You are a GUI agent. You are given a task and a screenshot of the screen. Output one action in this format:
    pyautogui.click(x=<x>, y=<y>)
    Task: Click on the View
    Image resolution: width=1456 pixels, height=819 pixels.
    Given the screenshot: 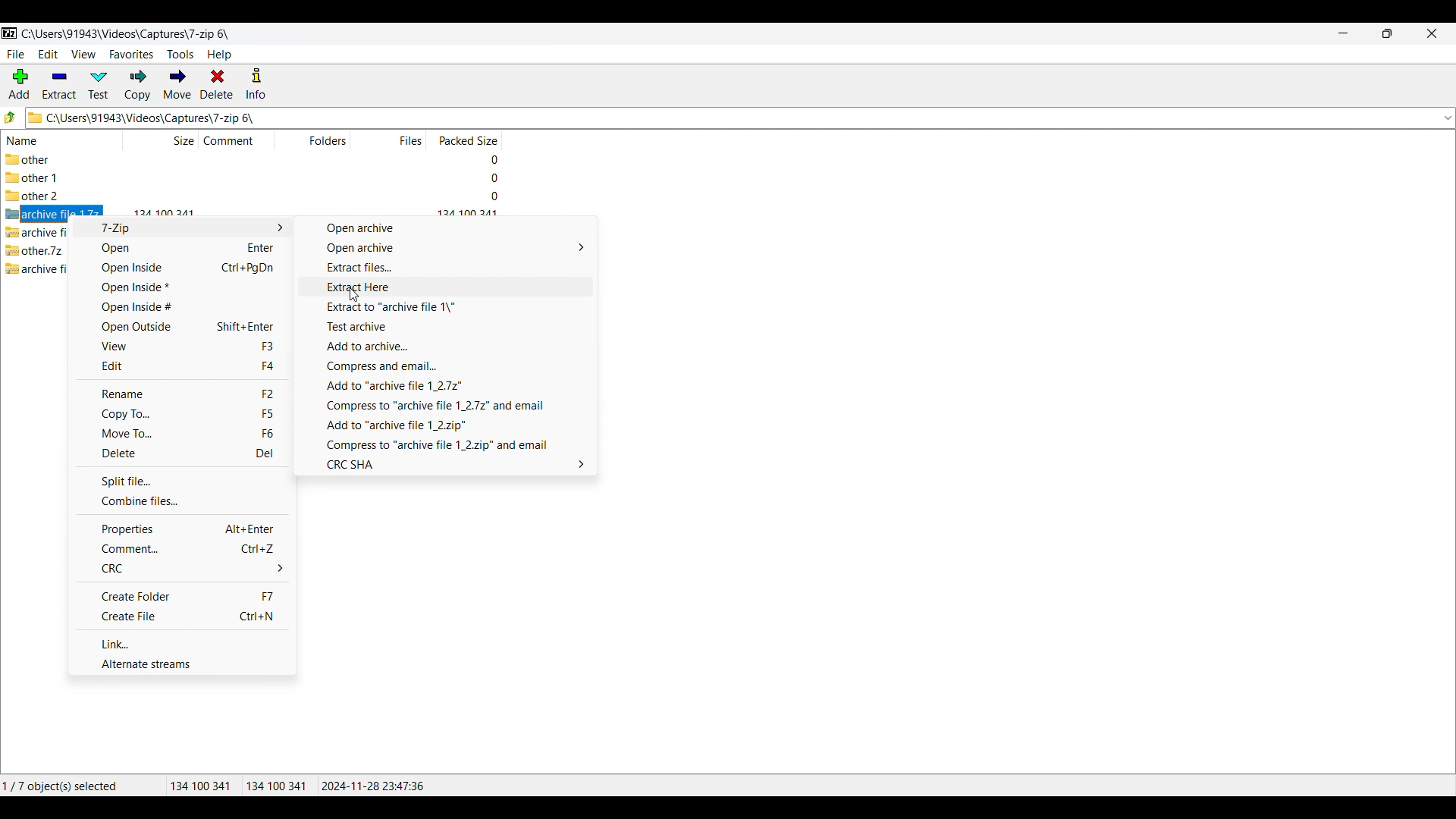 What is the action you would take?
    pyautogui.click(x=180, y=346)
    